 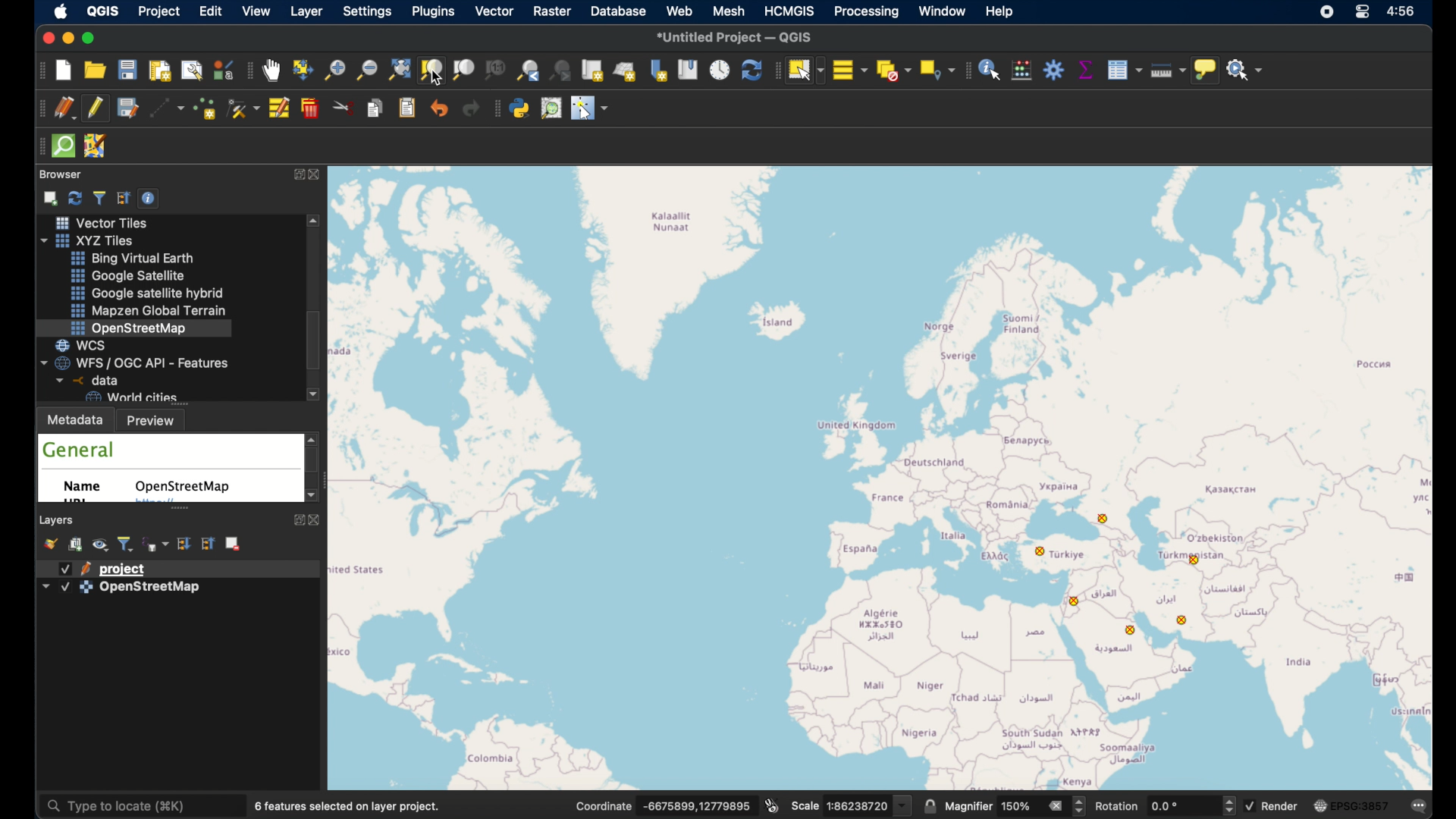 What do you see at coordinates (409, 109) in the screenshot?
I see `paste features` at bounding box center [409, 109].